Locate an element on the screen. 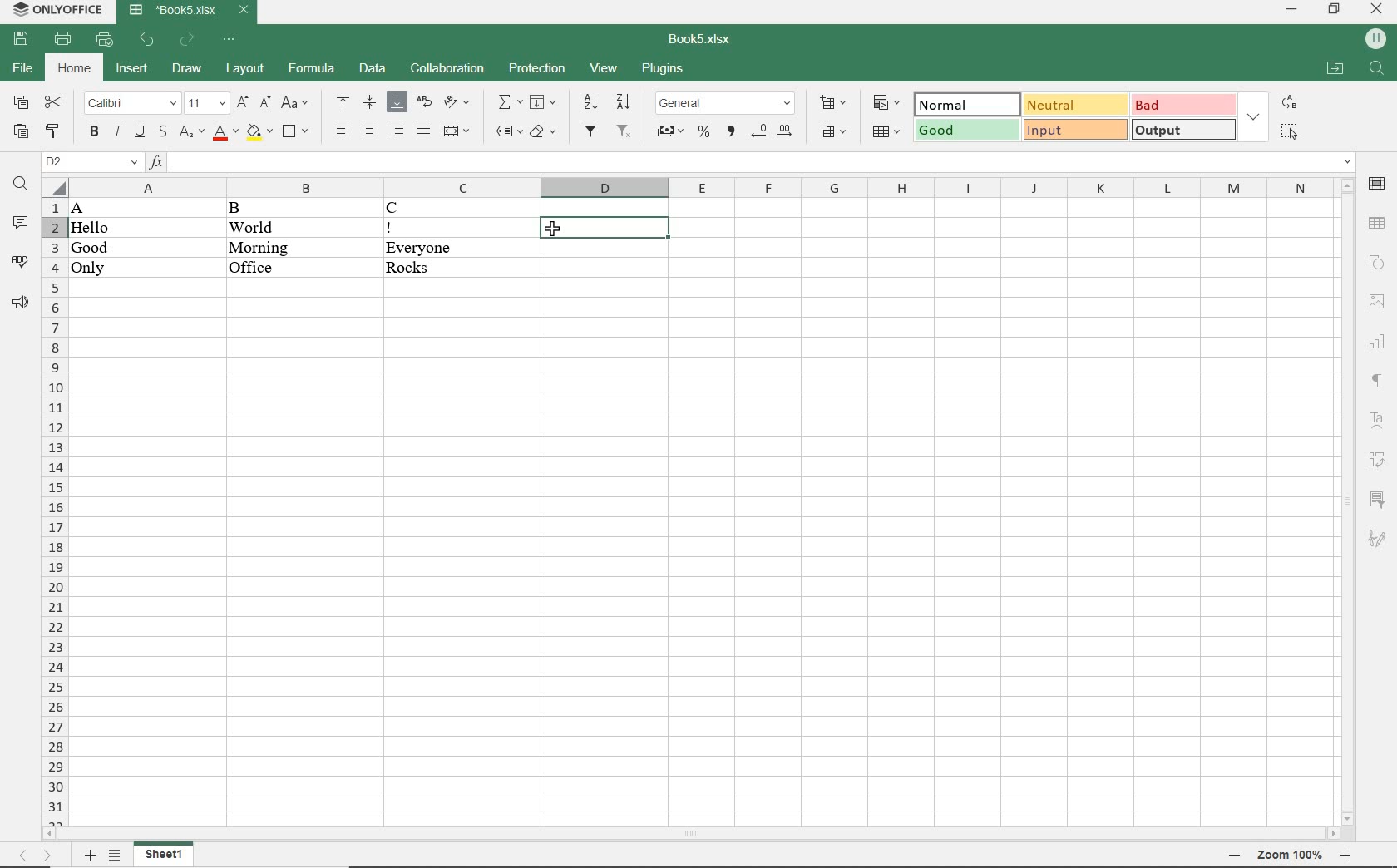 Image resolution: width=1397 pixels, height=868 pixels. font size is located at coordinates (206, 104).